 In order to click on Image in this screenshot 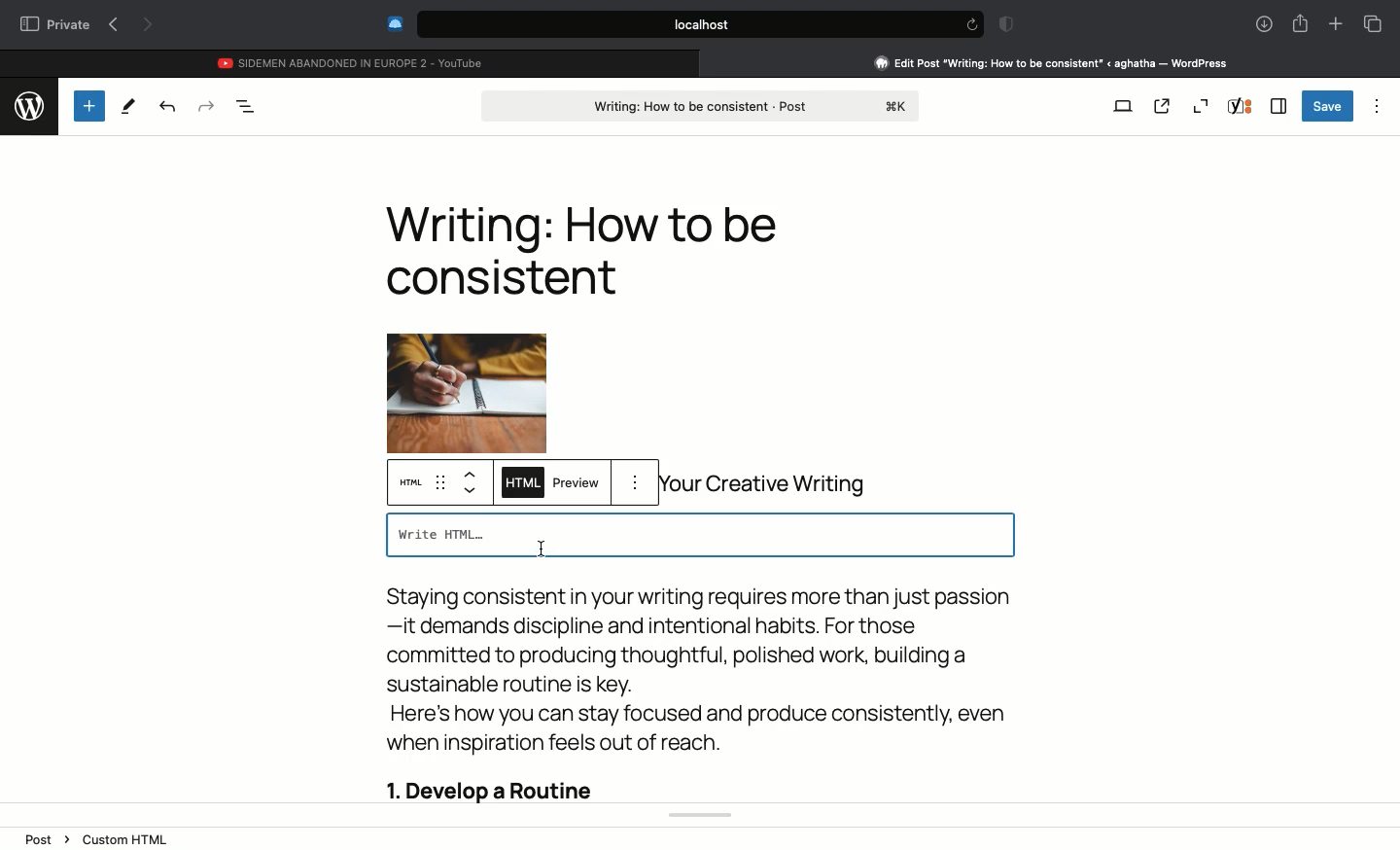, I will do `click(466, 371)`.